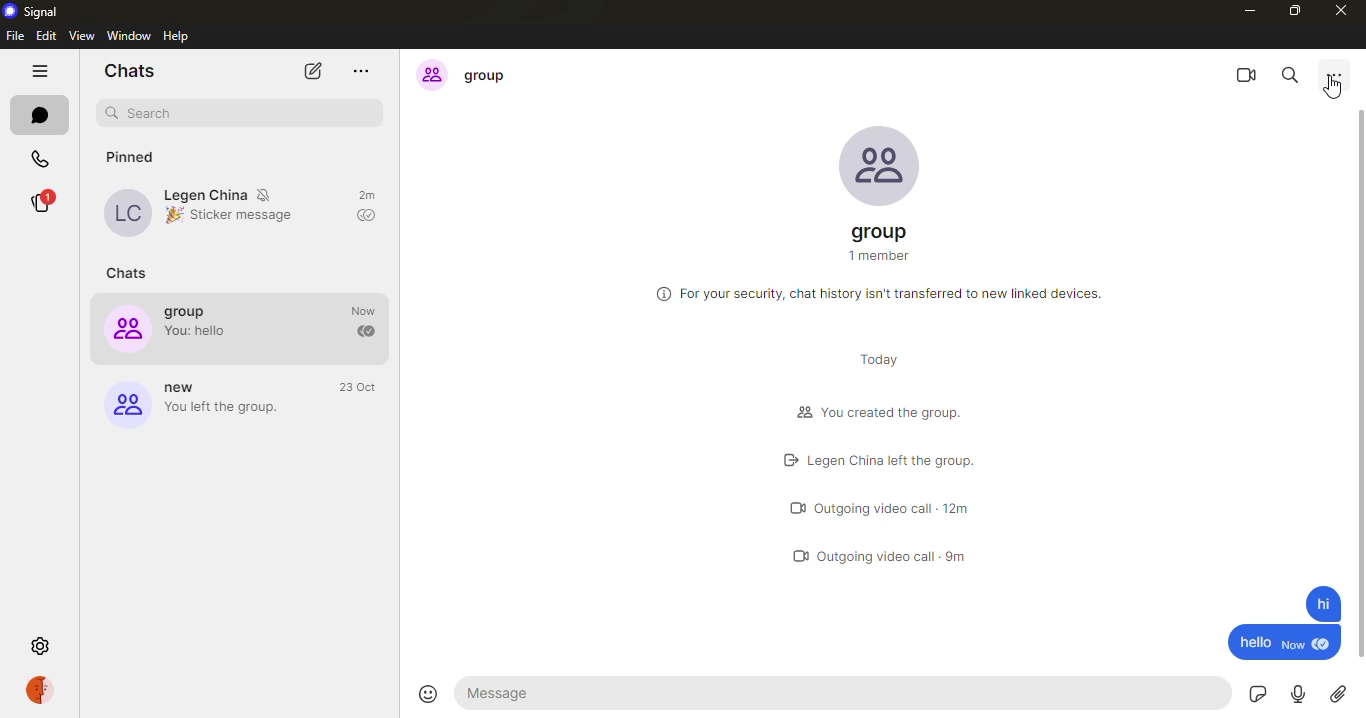 Image resolution: width=1366 pixels, height=718 pixels. Describe the element at coordinates (1247, 11) in the screenshot. I see `minimize` at that location.